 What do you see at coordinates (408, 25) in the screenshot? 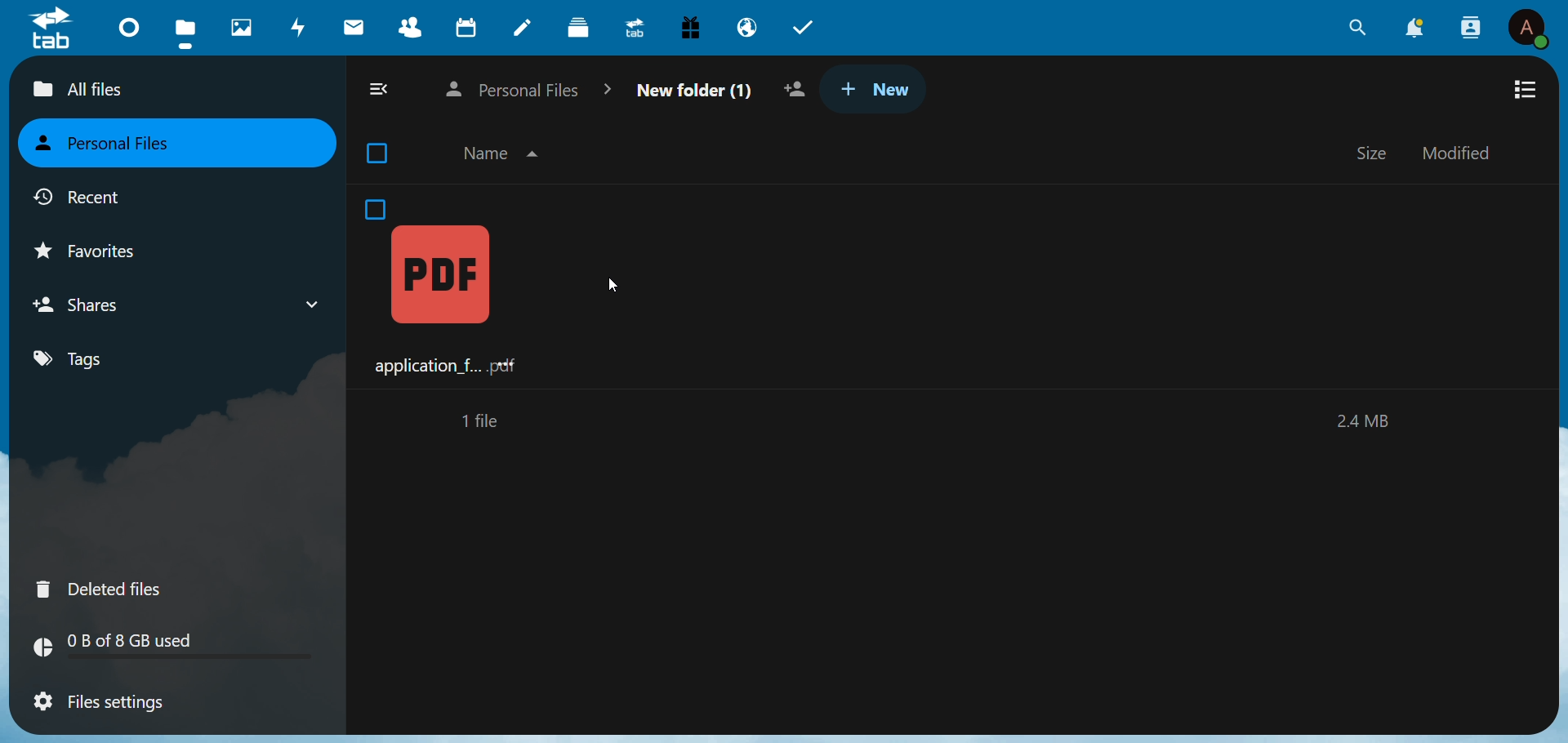
I see `contact` at bounding box center [408, 25].